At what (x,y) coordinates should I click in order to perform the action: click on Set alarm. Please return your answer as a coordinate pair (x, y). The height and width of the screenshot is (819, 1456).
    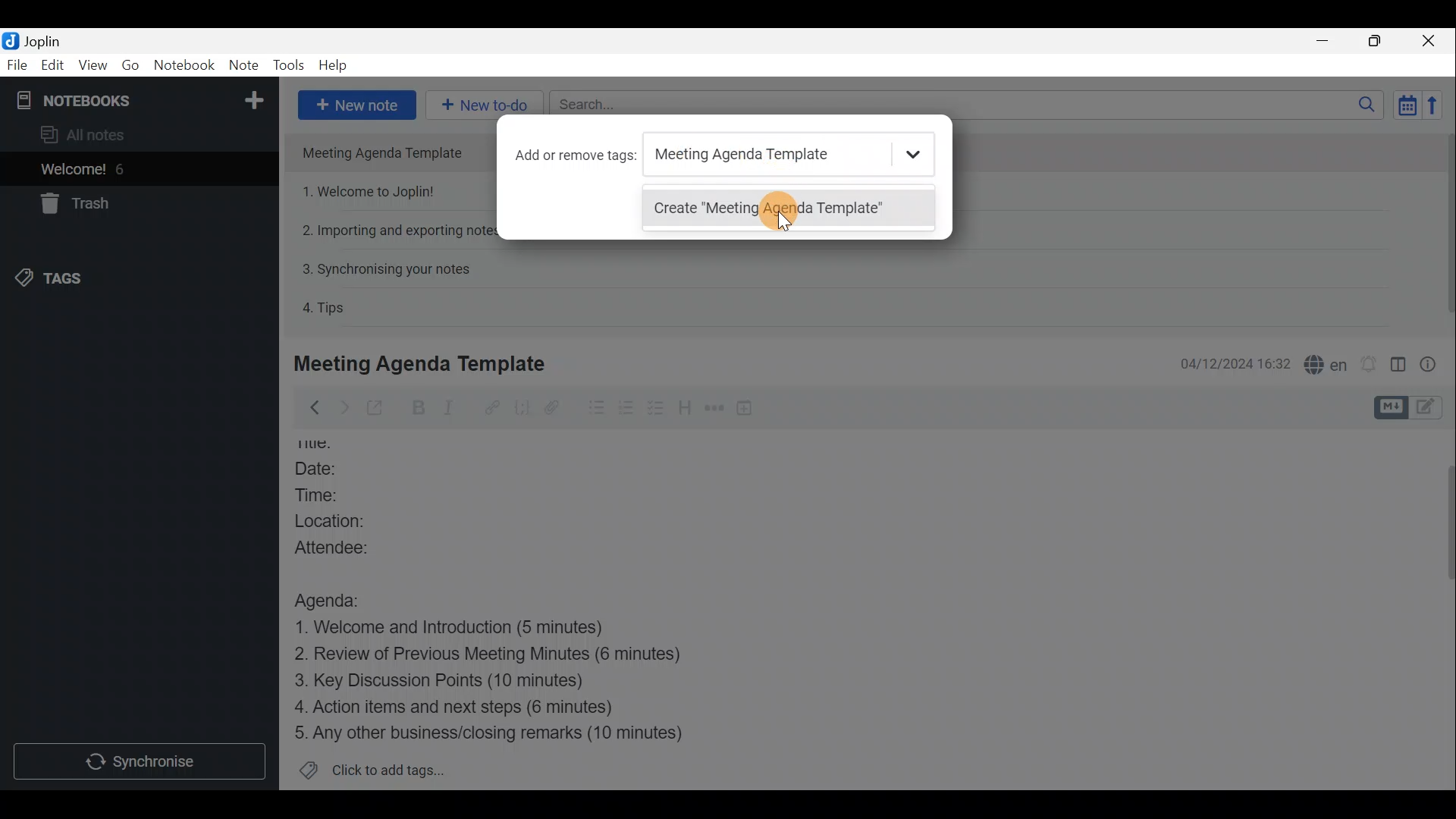
    Looking at the image, I should click on (1370, 364).